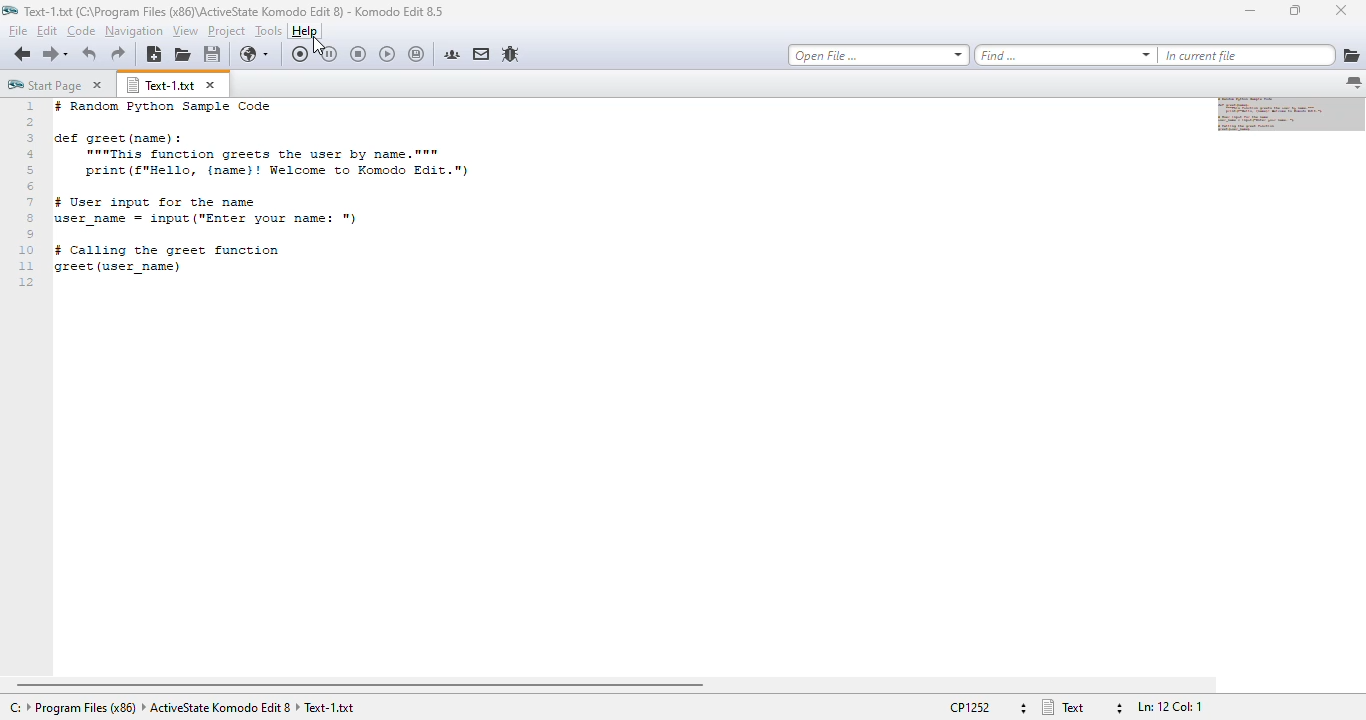  I want to click on stop recording macro, so click(359, 54).